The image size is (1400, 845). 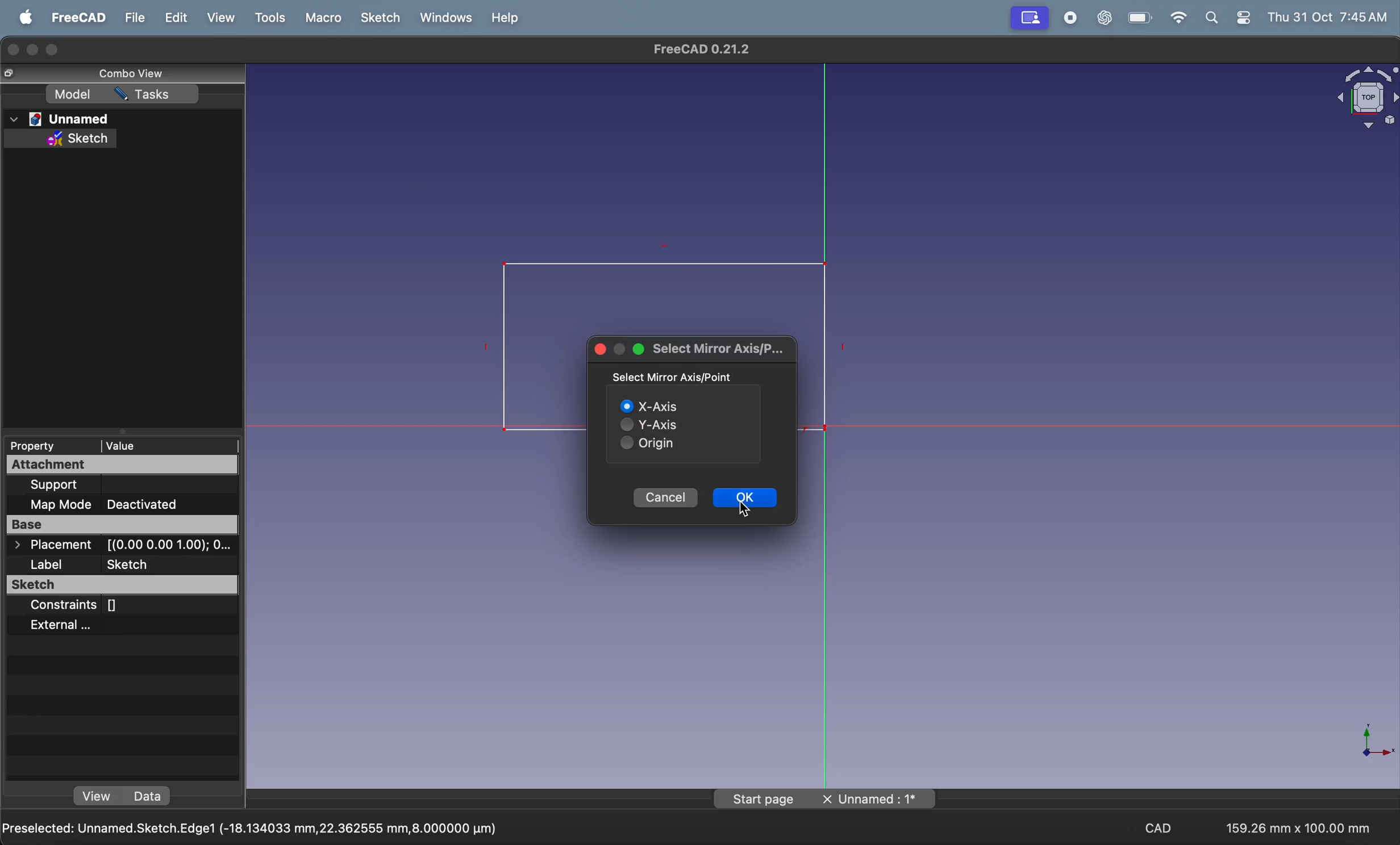 I want to click on pre selected unnamed V axis (0.0000mm, 13.2343406mm,2.00000mm), so click(x=254, y=826).